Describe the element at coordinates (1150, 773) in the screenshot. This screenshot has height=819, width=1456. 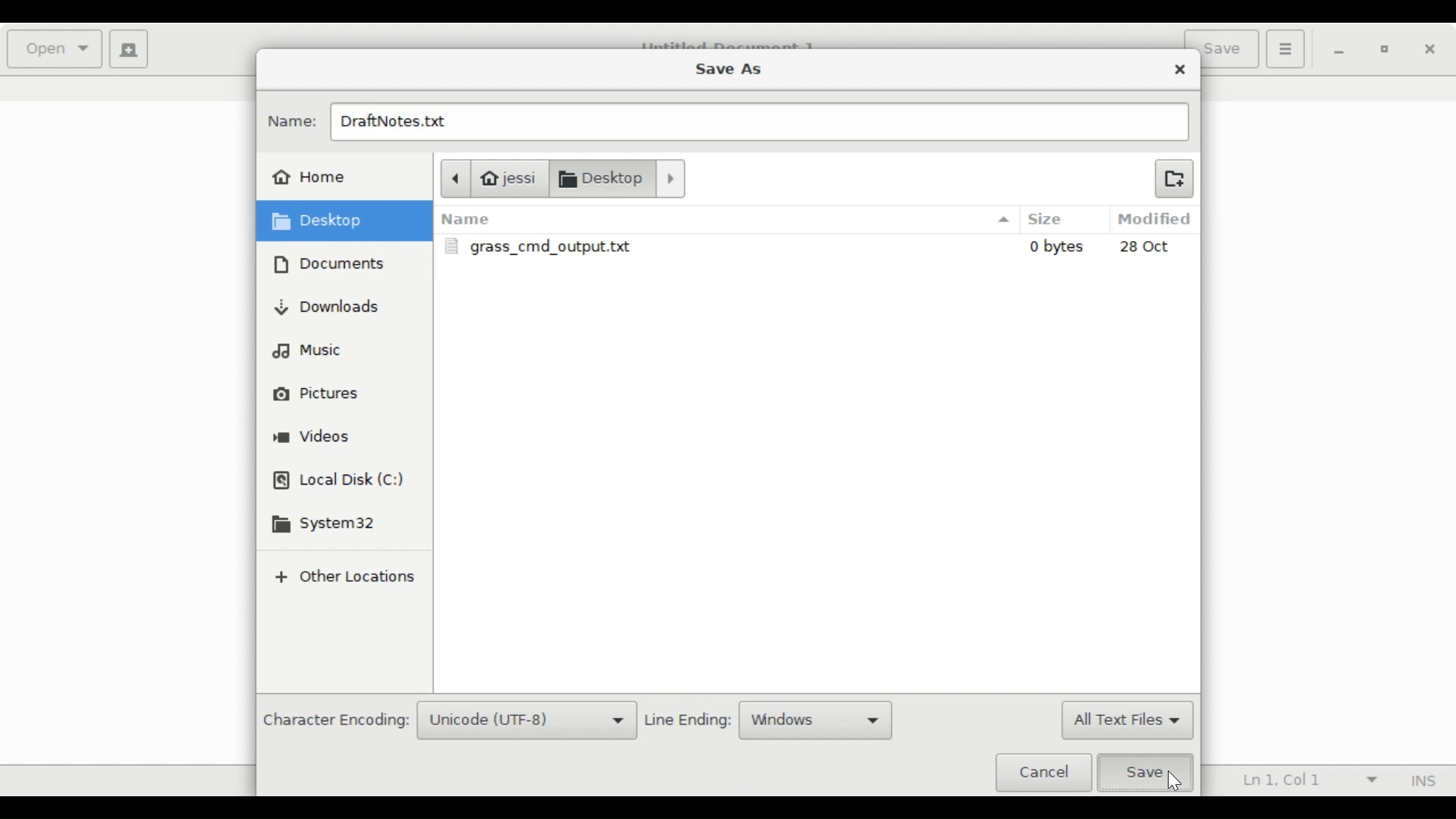
I see `Save` at that location.